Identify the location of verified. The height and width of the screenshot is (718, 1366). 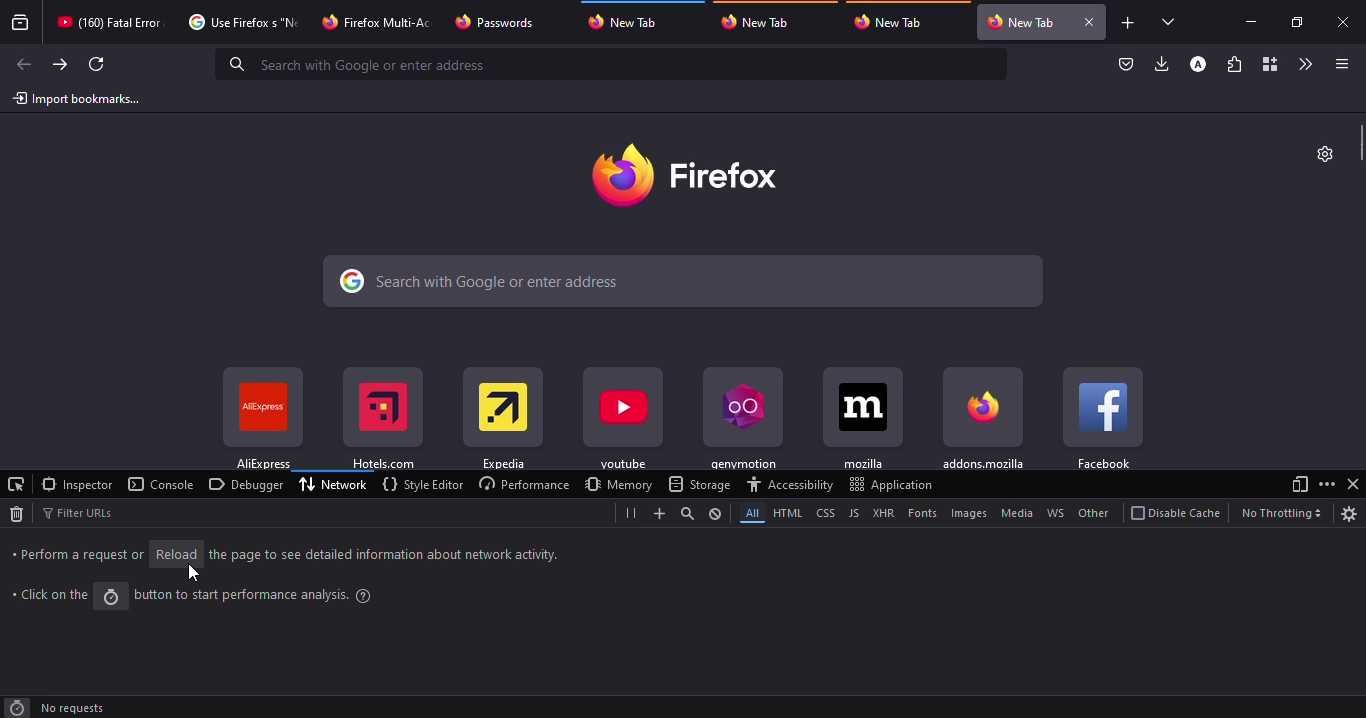
(1127, 64).